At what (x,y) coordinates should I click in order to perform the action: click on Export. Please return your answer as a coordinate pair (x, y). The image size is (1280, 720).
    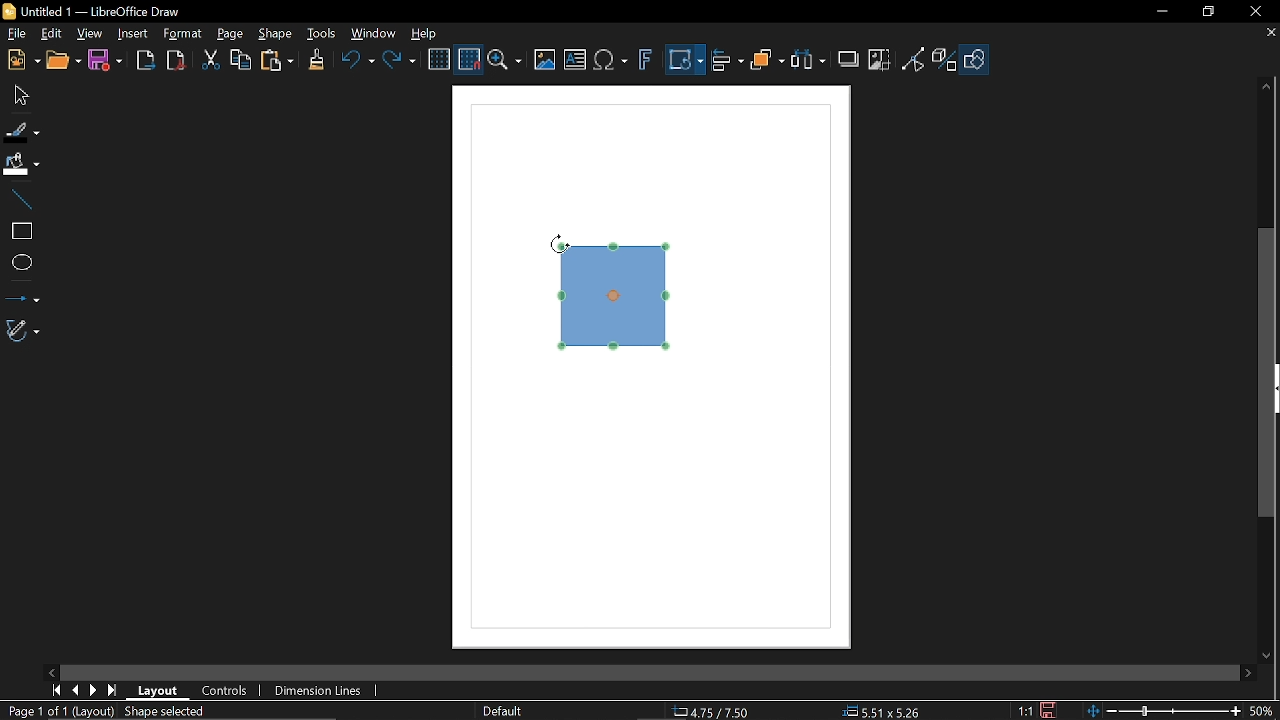
    Looking at the image, I should click on (142, 60).